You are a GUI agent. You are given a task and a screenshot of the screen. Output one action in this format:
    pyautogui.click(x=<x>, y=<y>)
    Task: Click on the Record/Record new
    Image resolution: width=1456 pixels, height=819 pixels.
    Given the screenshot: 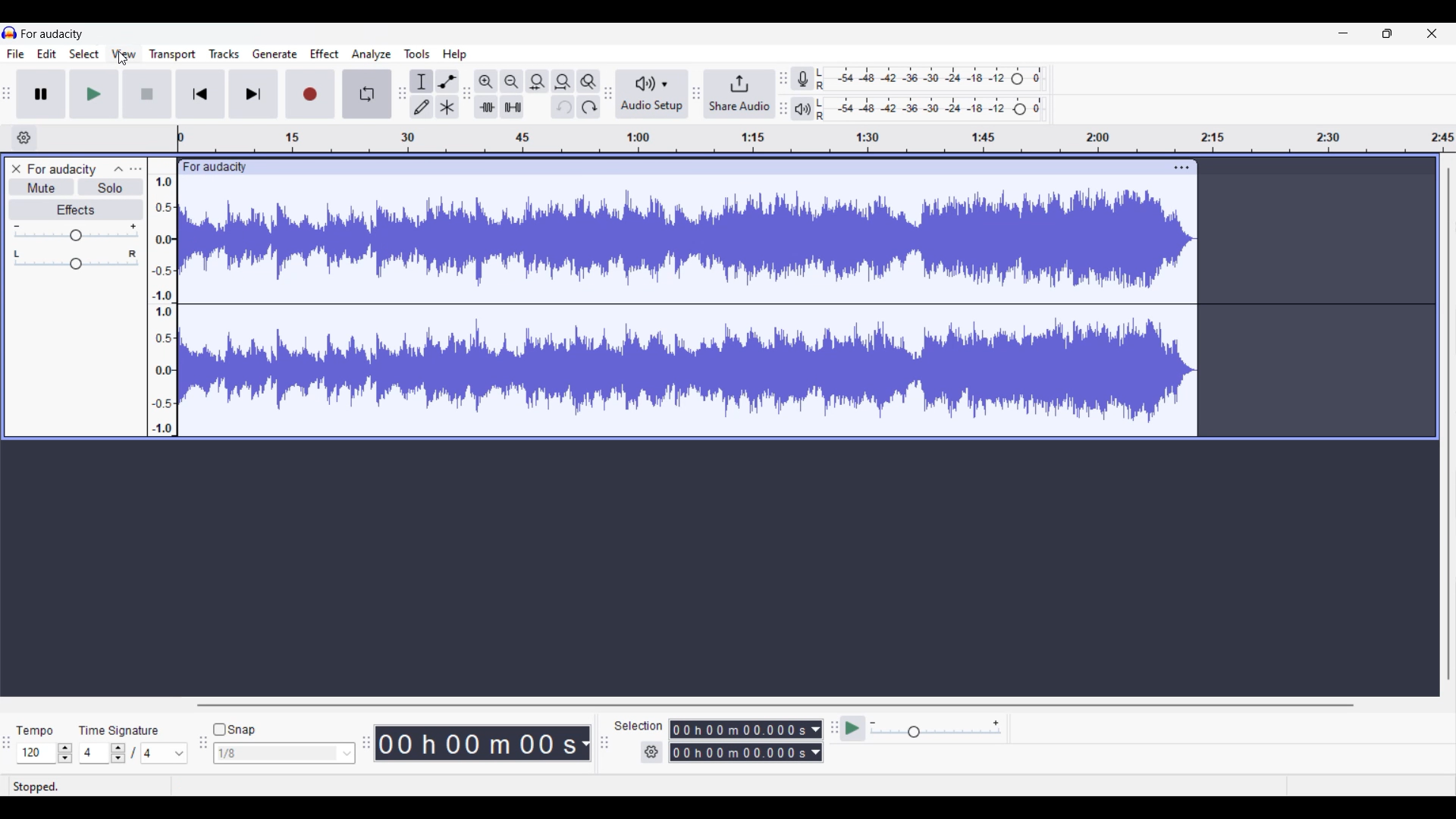 What is the action you would take?
    pyautogui.click(x=311, y=94)
    